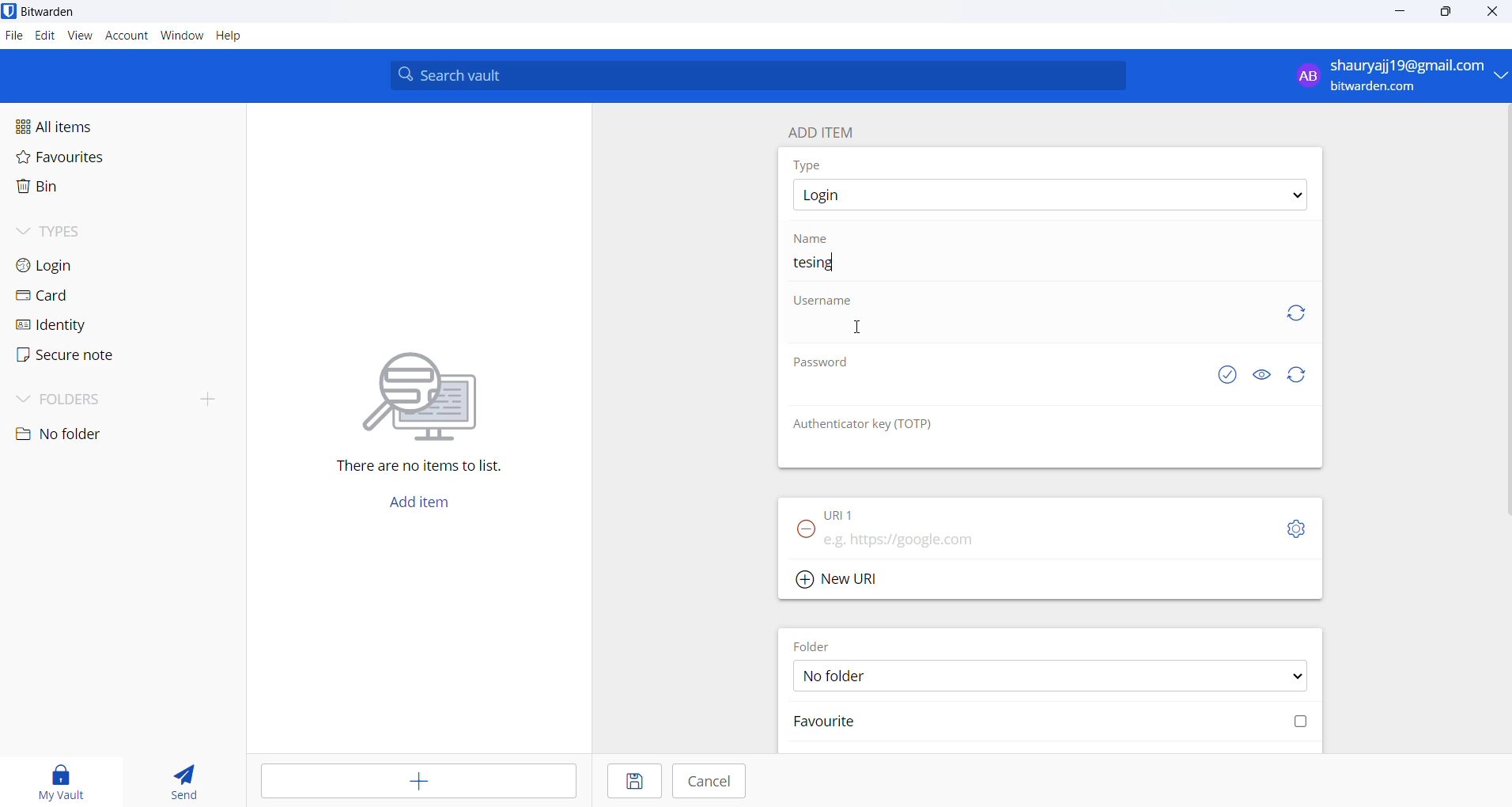 The image size is (1512, 807). What do you see at coordinates (1051, 675) in the screenshot?
I see `Folder options` at bounding box center [1051, 675].